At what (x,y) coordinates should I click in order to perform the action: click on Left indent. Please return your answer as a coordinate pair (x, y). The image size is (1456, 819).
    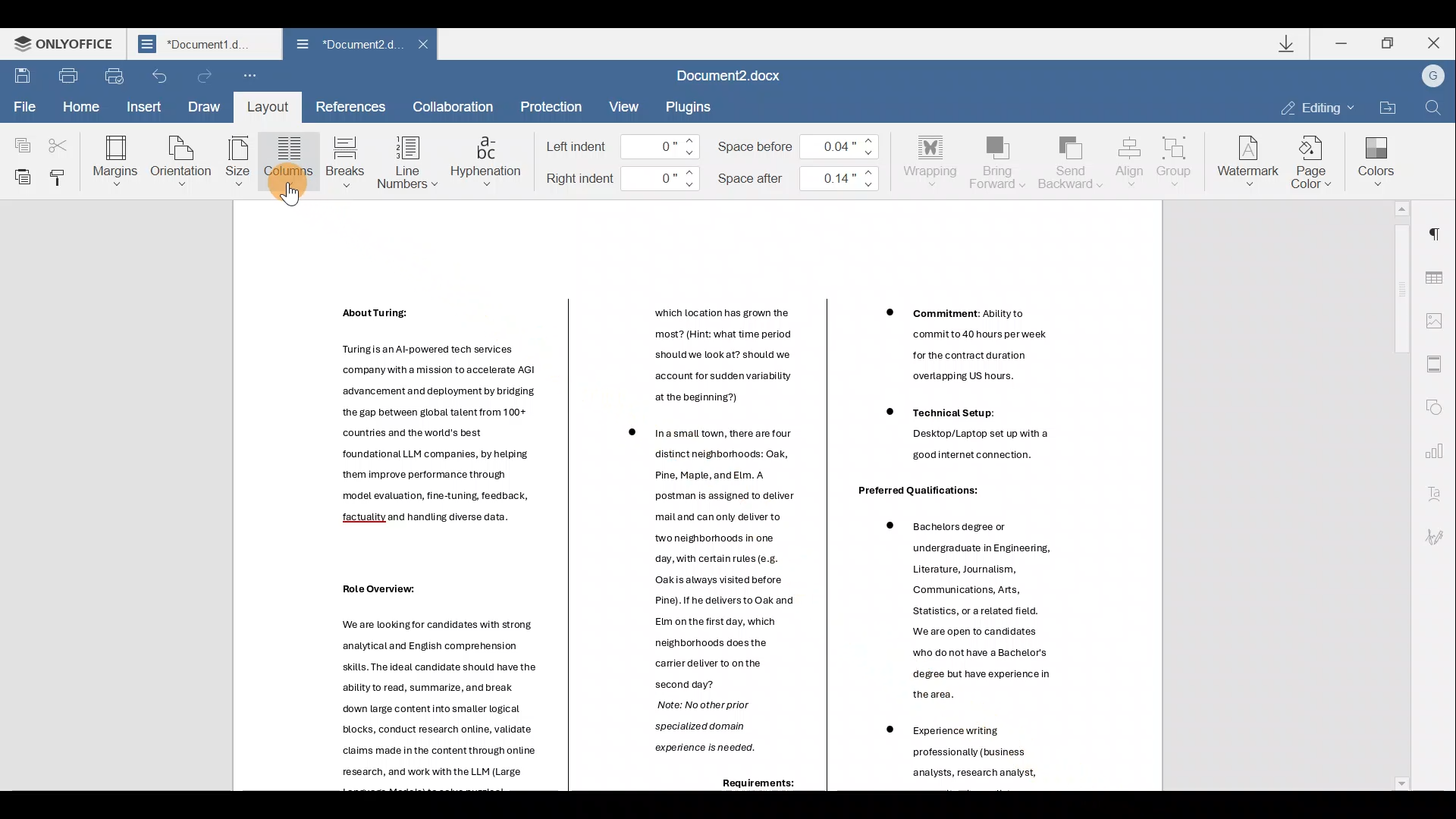
    Looking at the image, I should click on (623, 147).